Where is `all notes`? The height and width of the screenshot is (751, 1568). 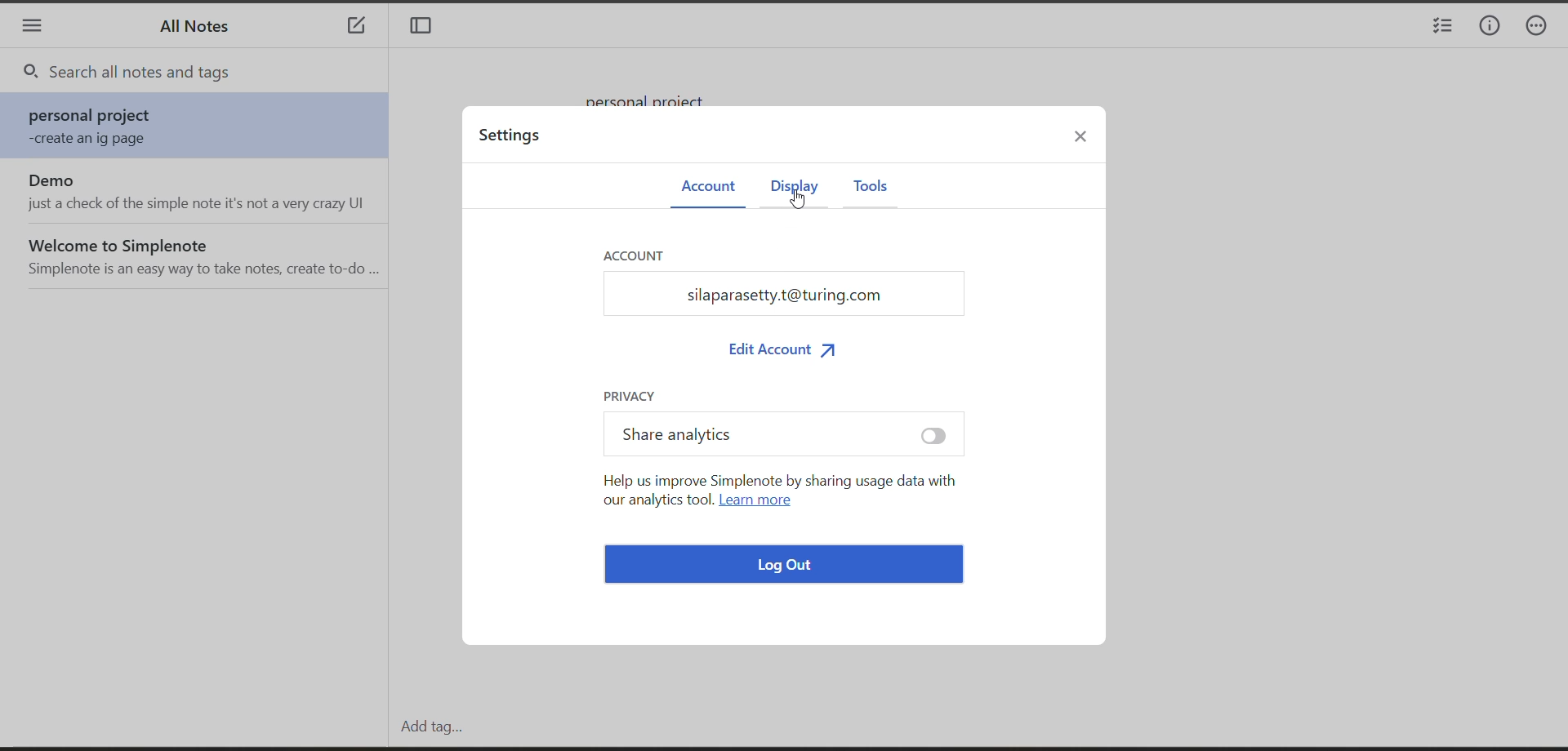 all notes is located at coordinates (201, 31).